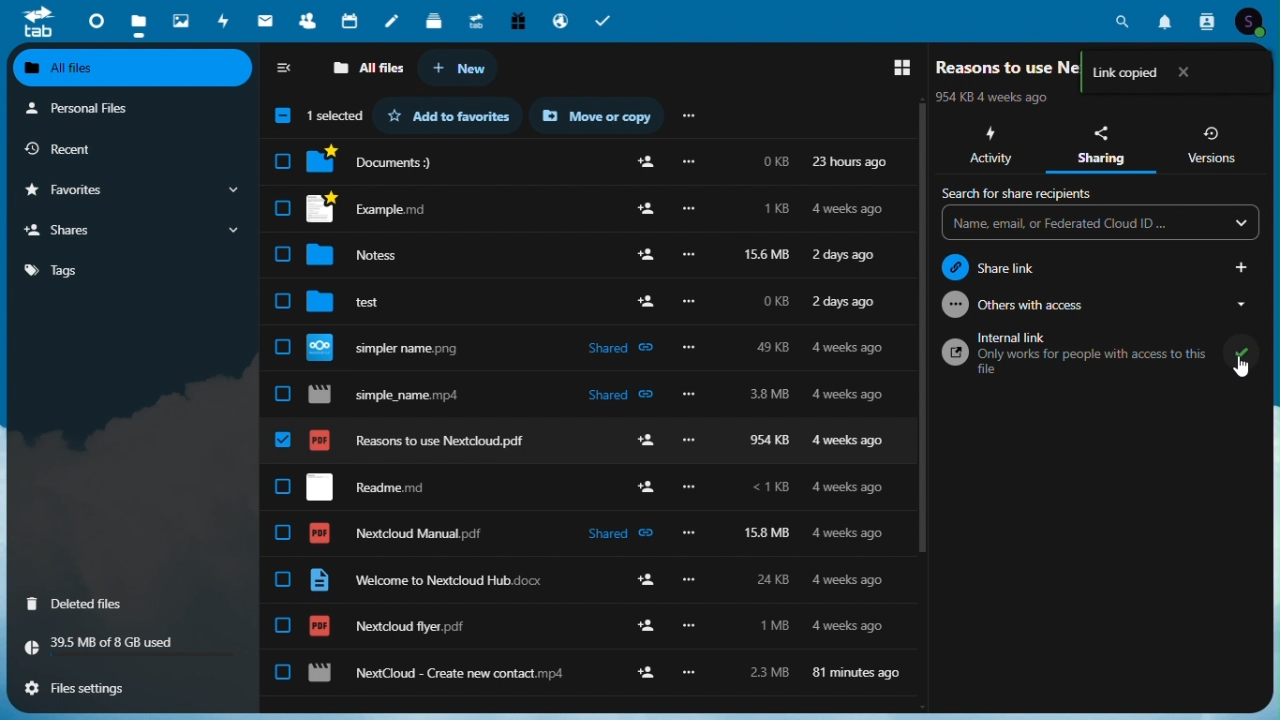 This screenshot has height=720, width=1280. What do you see at coordinates (1002, 66) in the screenshot?
I see `File name` at bounding box center [1002, 66].